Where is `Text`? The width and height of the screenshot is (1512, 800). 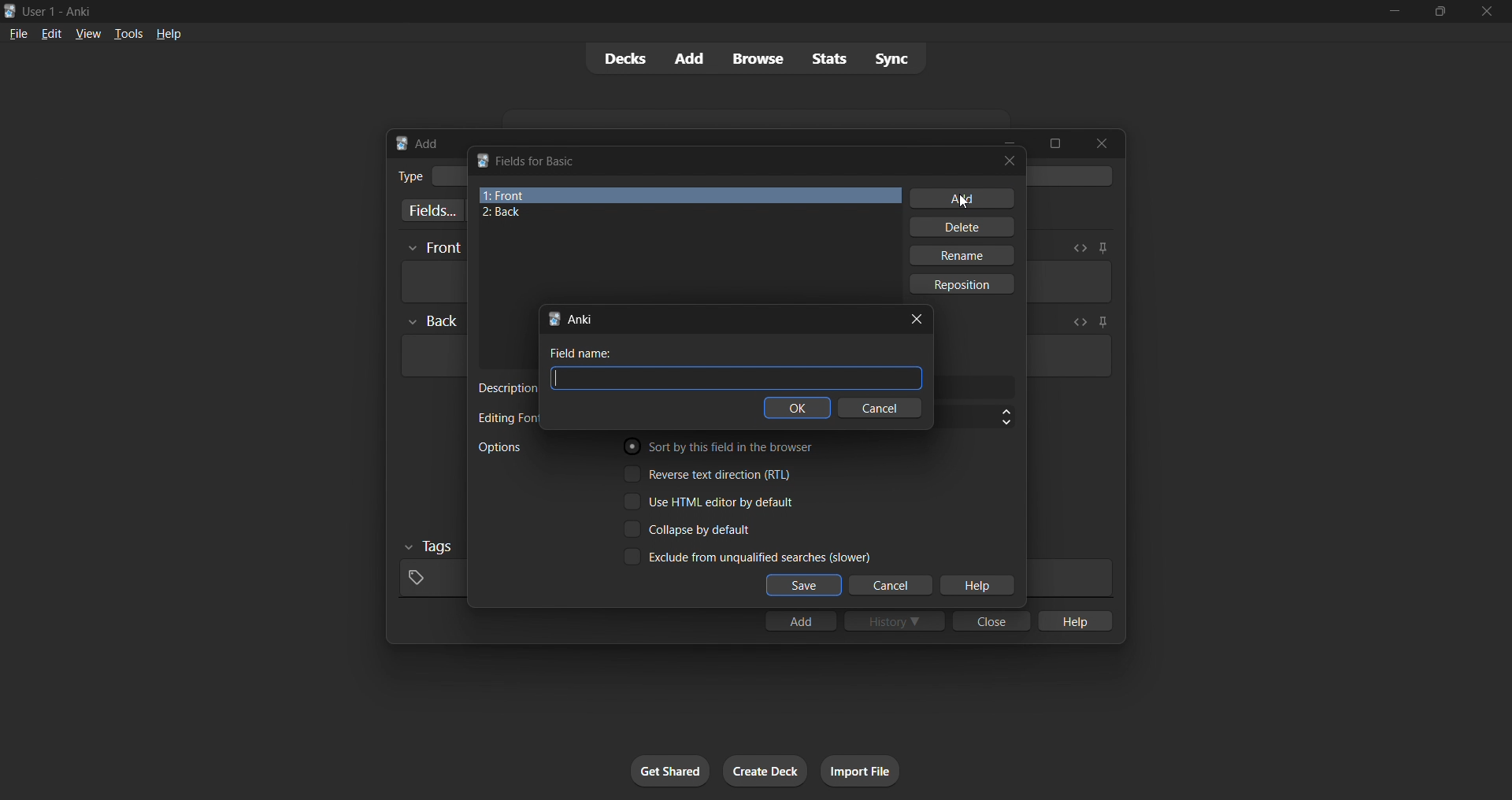 Text is located at coordinates (60, 13).